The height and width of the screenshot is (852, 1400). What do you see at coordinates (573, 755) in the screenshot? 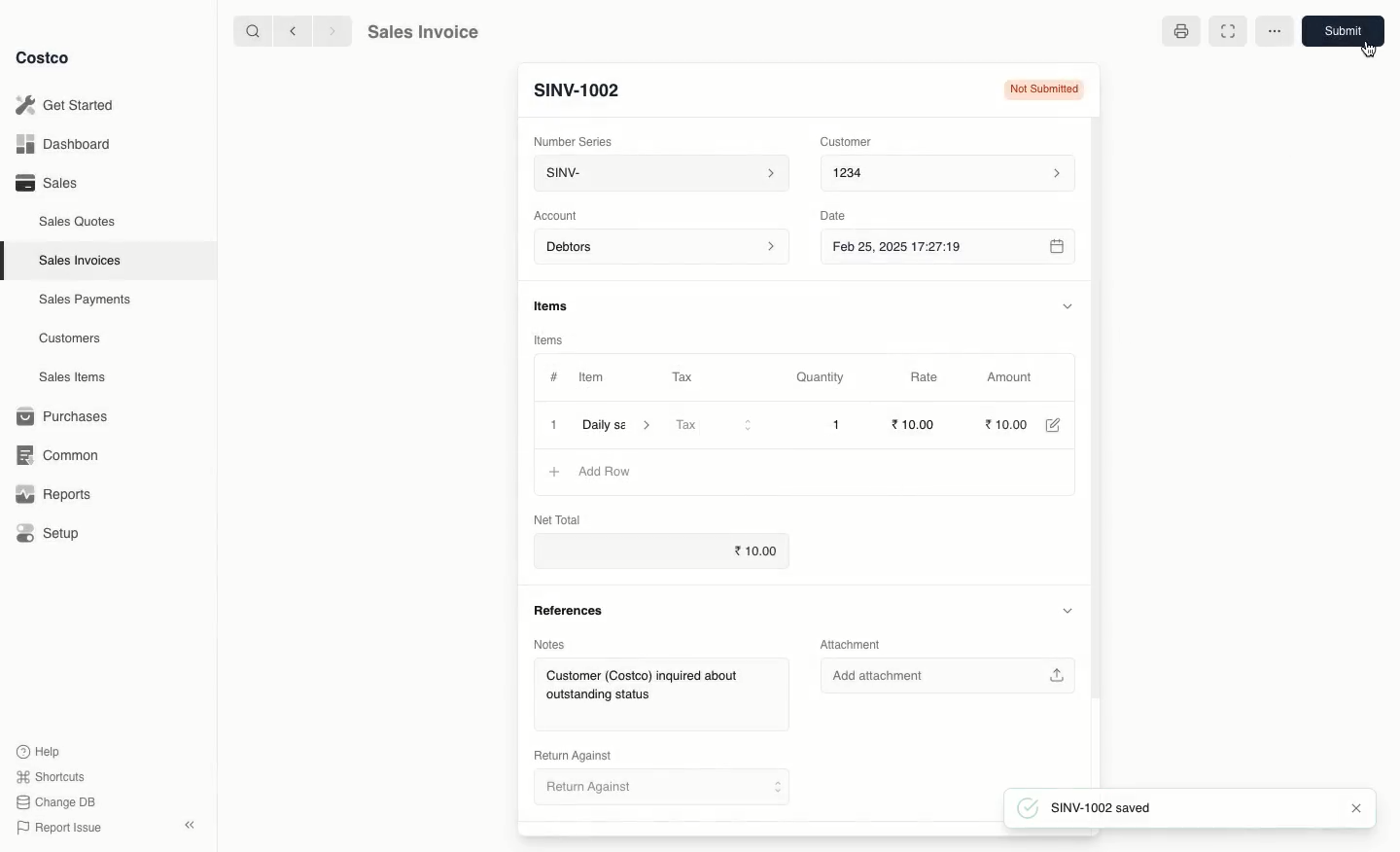
I see `Return Against` at bounding box center [573, 755].